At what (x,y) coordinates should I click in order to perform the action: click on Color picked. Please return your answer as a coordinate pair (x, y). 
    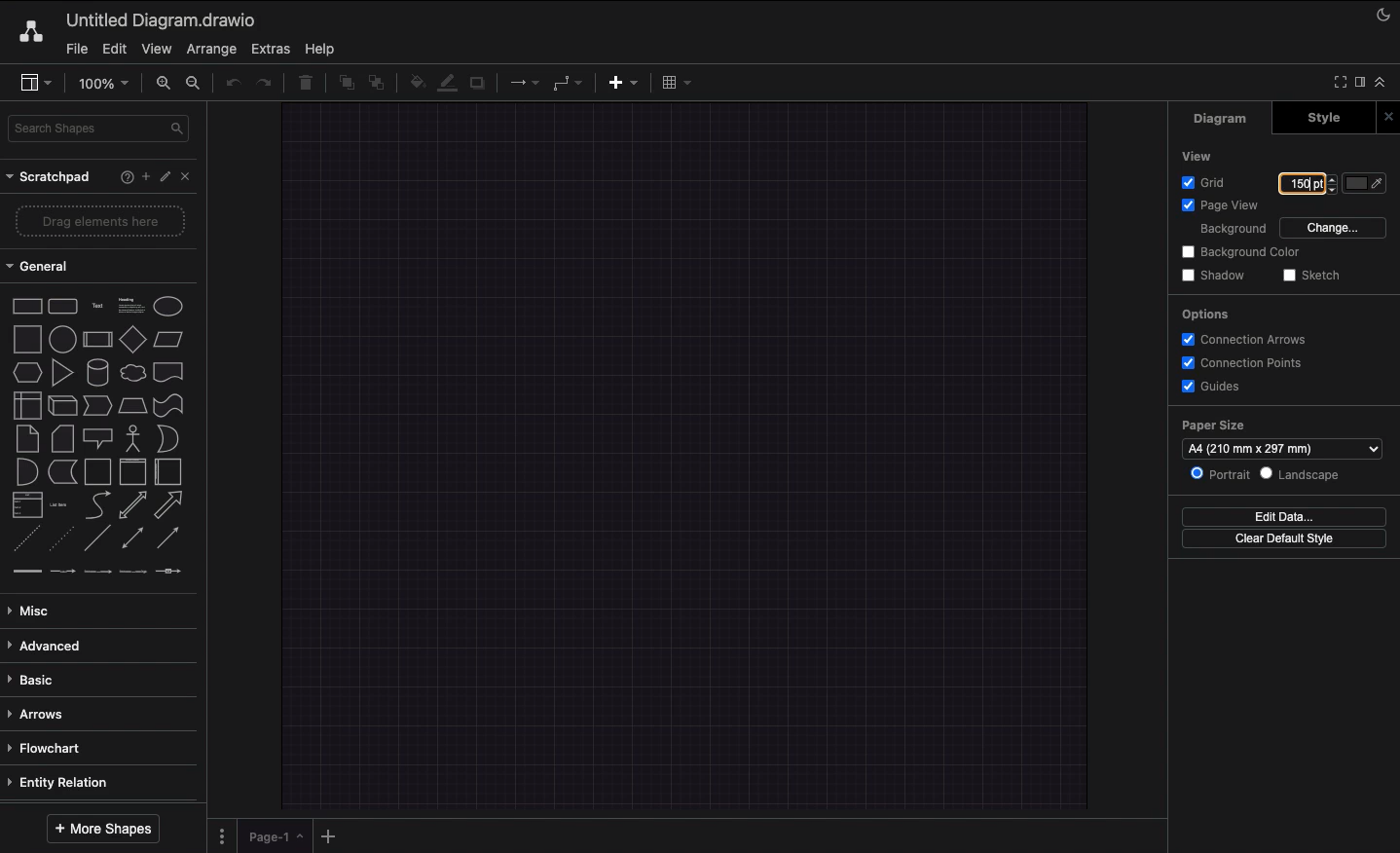
    Looking at the image, I should click on (1364, 183).